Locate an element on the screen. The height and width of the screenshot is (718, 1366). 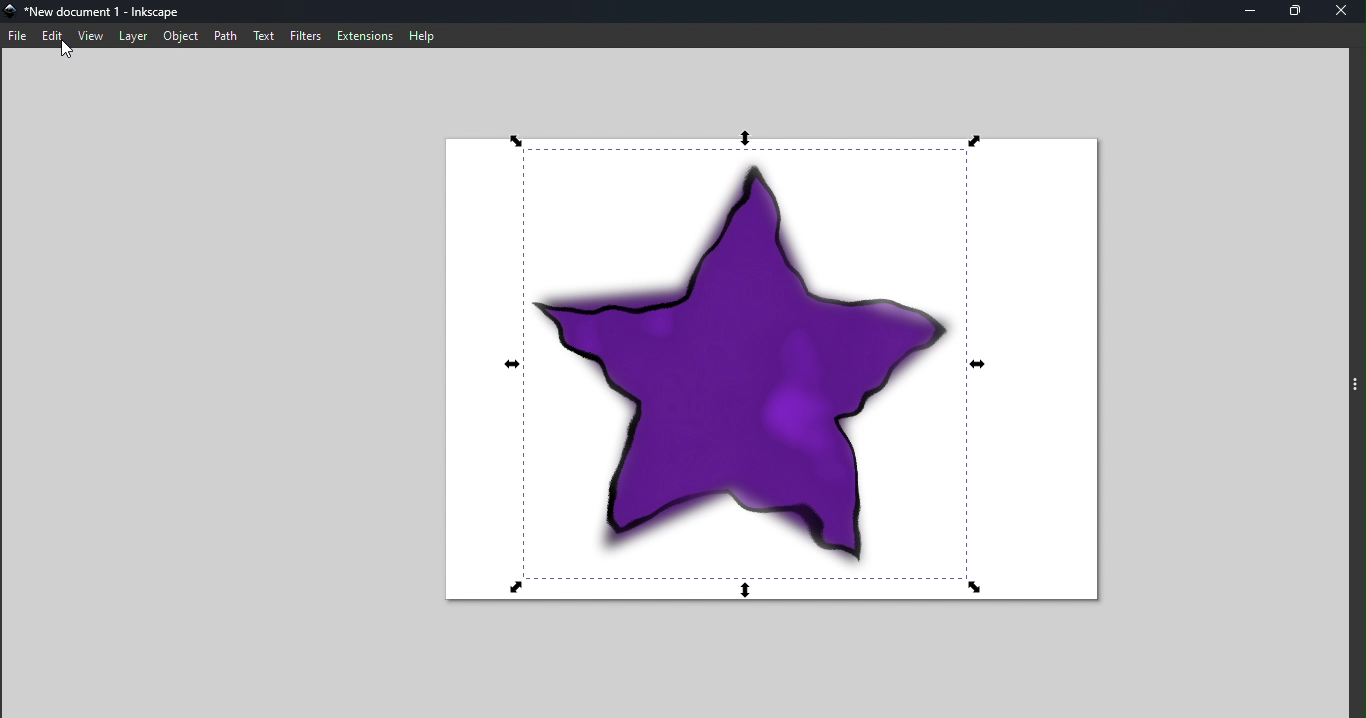
Filters is located at coordinates (304, 35).